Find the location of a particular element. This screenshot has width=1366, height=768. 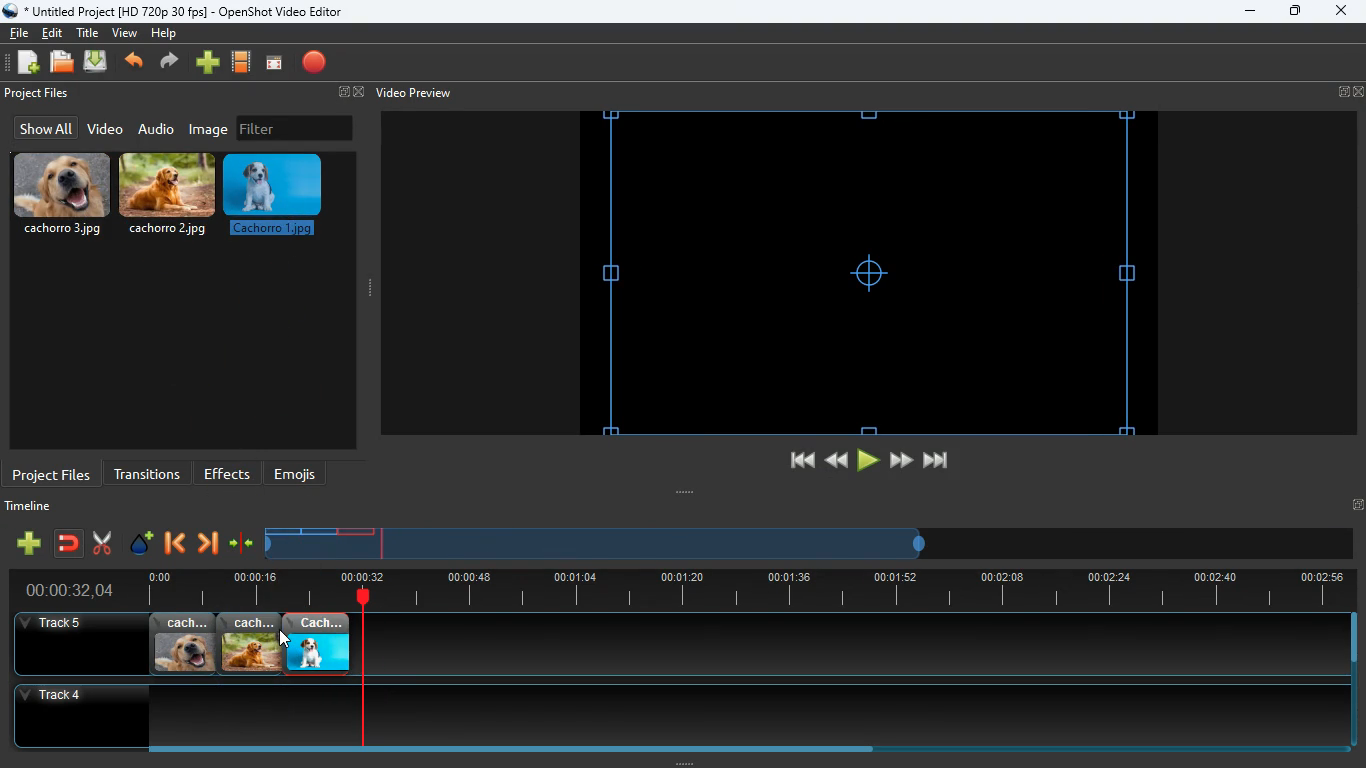

add is located at coordinates (28, 543).